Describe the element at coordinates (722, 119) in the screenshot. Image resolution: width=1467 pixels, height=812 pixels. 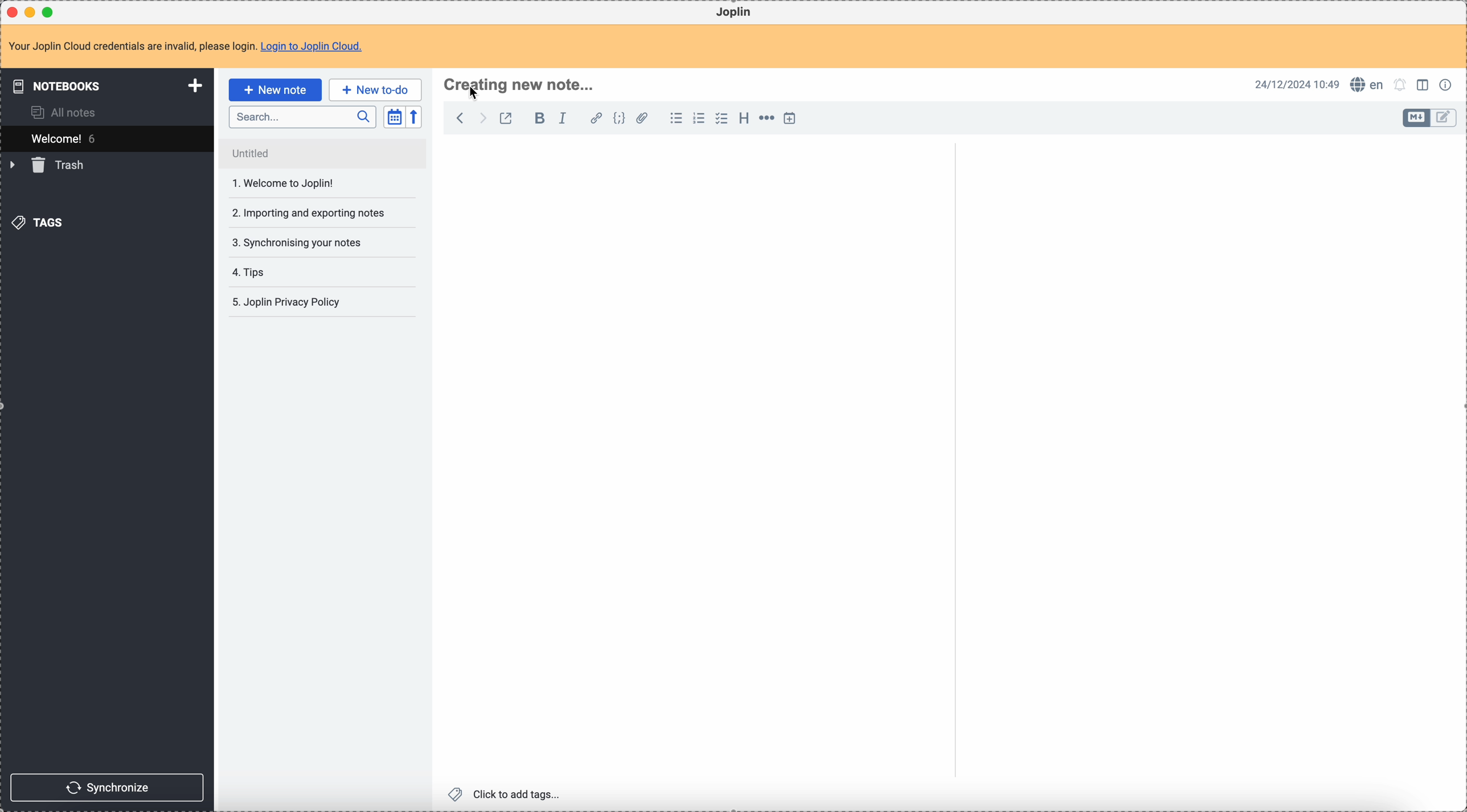
I see `checklist` at that location.